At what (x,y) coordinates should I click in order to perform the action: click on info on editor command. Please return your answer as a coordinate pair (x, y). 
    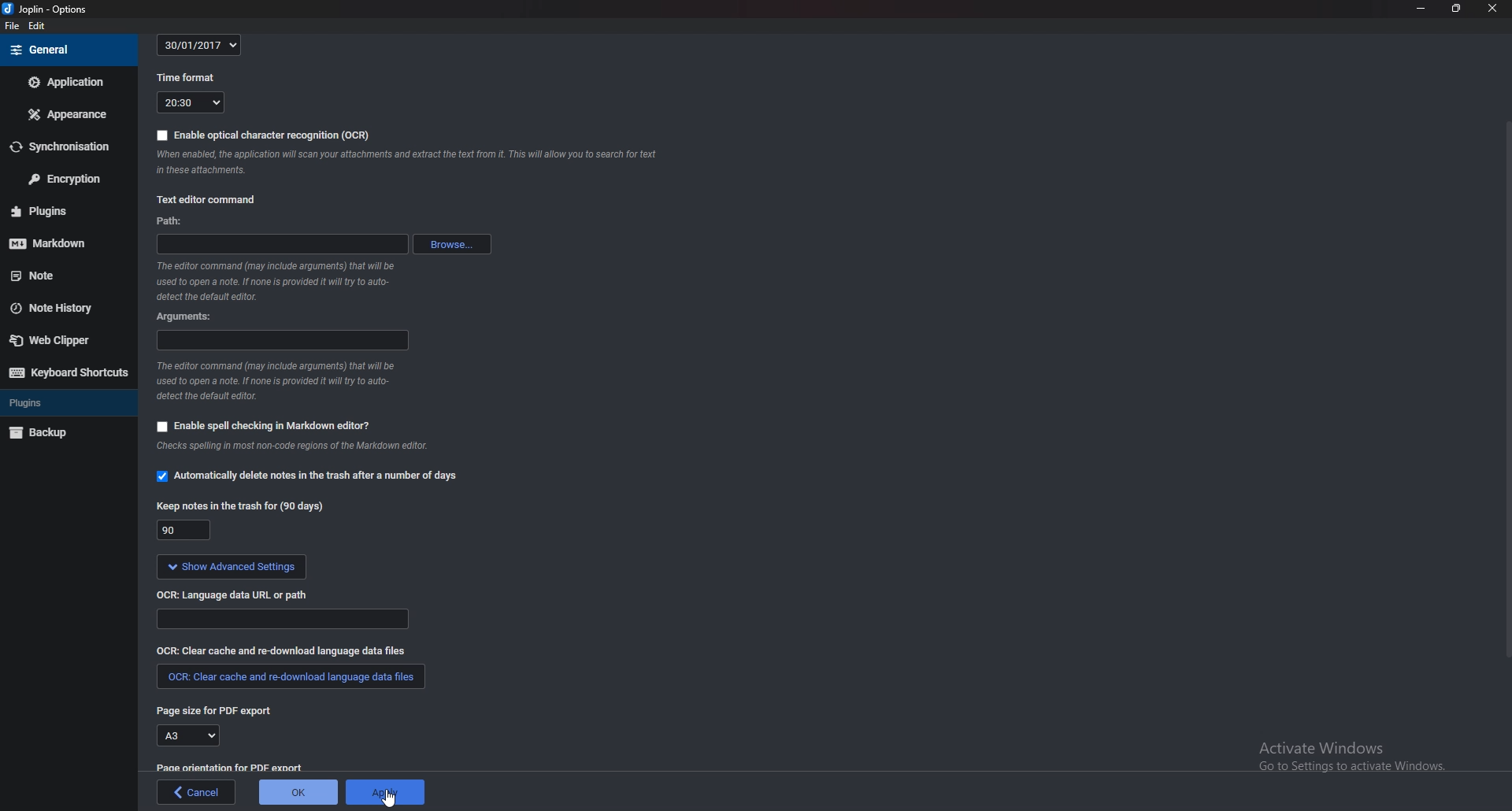
    Looking at the image, I should click on (277, 281).